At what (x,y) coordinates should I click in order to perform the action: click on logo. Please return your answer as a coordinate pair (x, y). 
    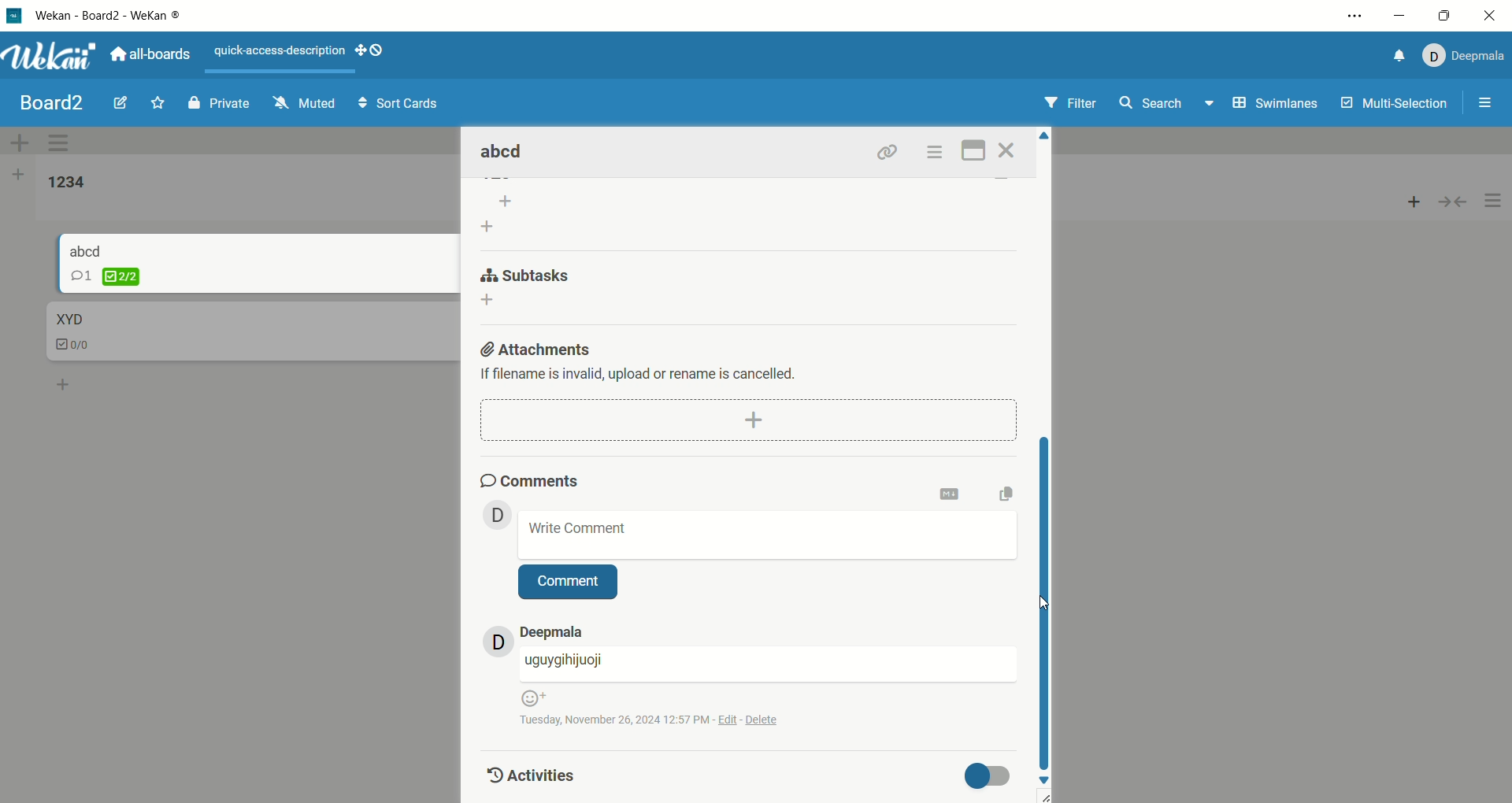
    Looking at the image, I should click on (15, 18).